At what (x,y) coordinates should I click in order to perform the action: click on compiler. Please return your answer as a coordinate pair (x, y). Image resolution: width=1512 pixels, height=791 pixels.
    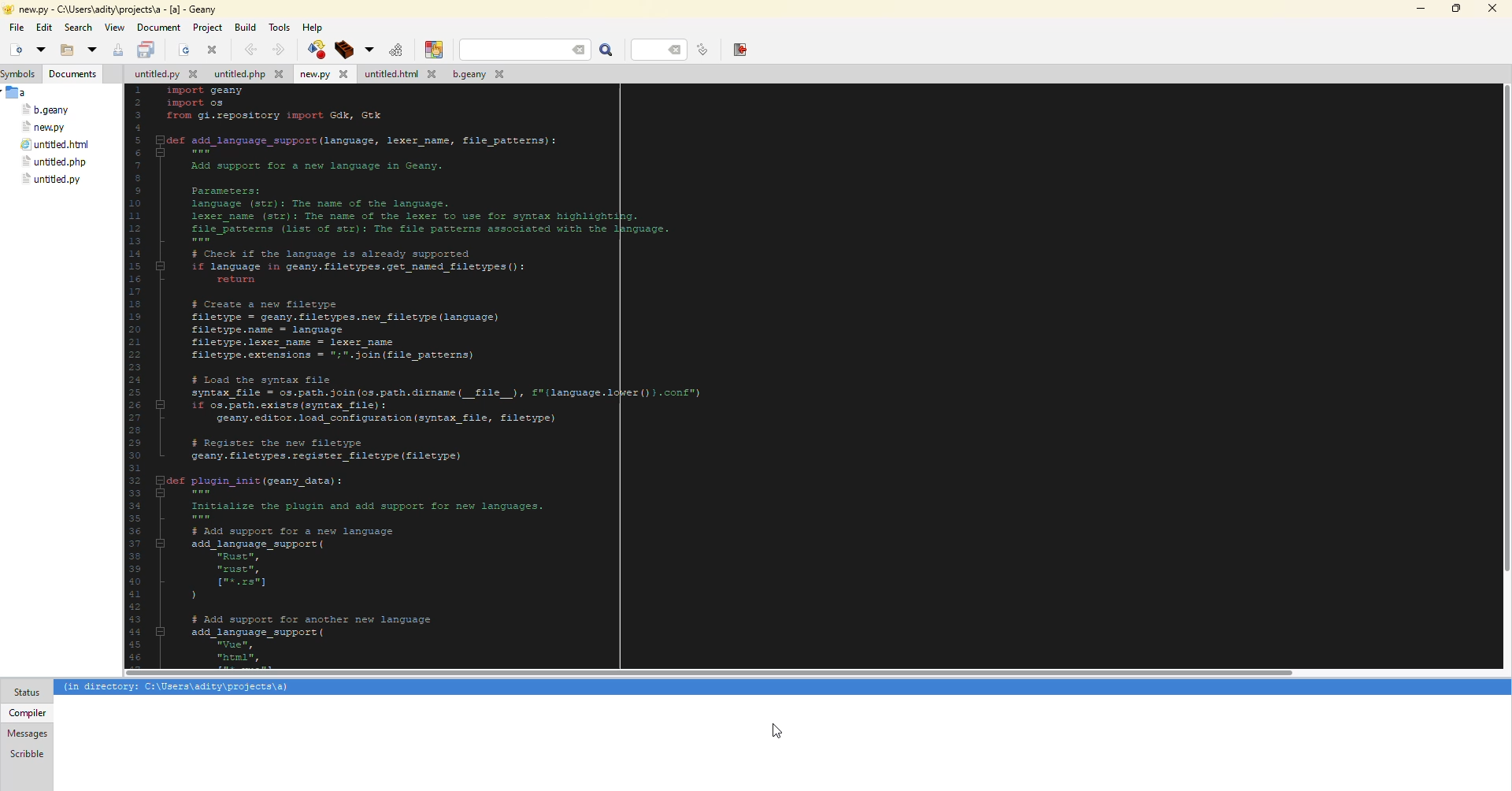
    Looking at the image, I should click on (27, 713).